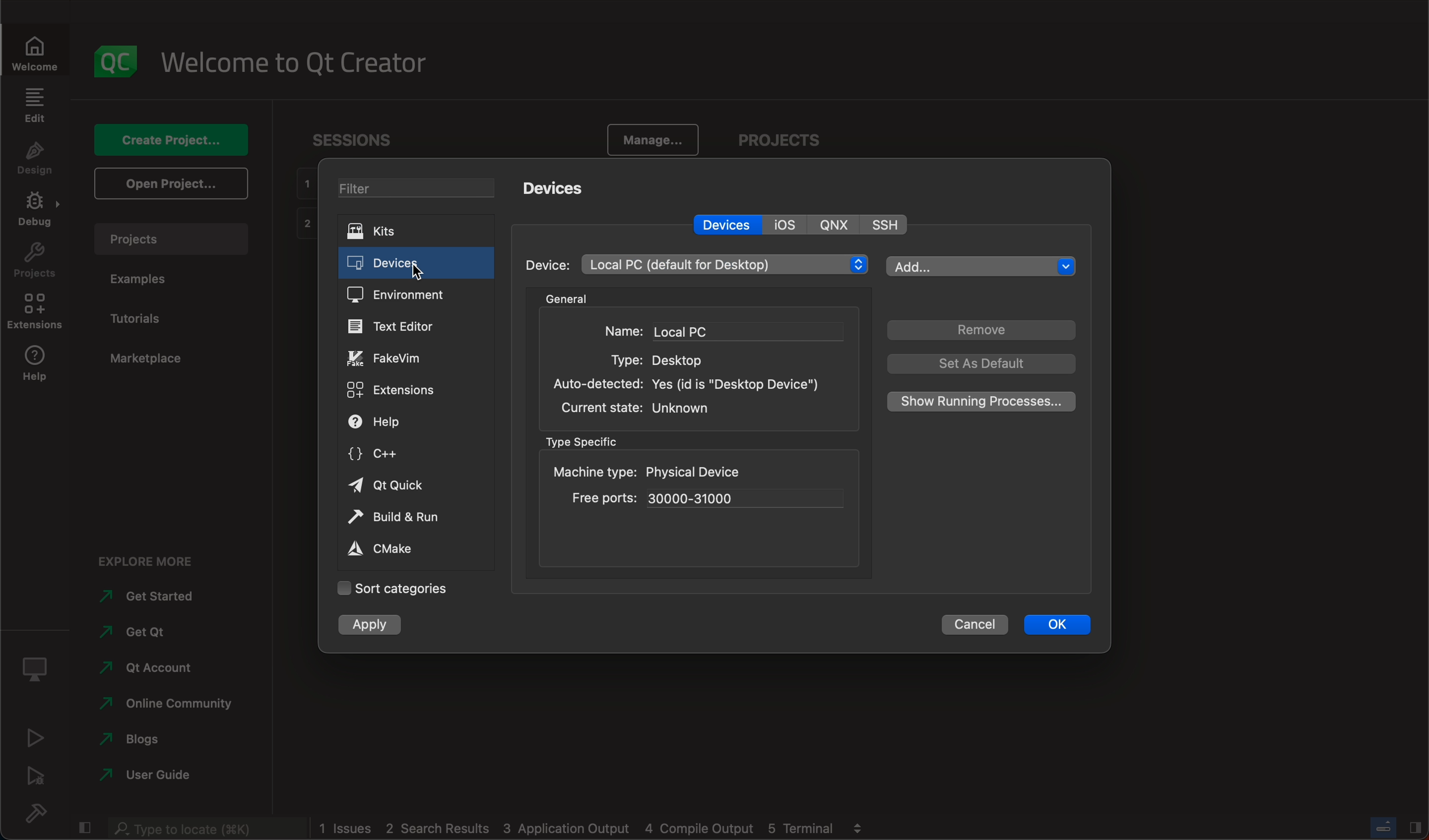  I want to click on remove, so click(980, 332).